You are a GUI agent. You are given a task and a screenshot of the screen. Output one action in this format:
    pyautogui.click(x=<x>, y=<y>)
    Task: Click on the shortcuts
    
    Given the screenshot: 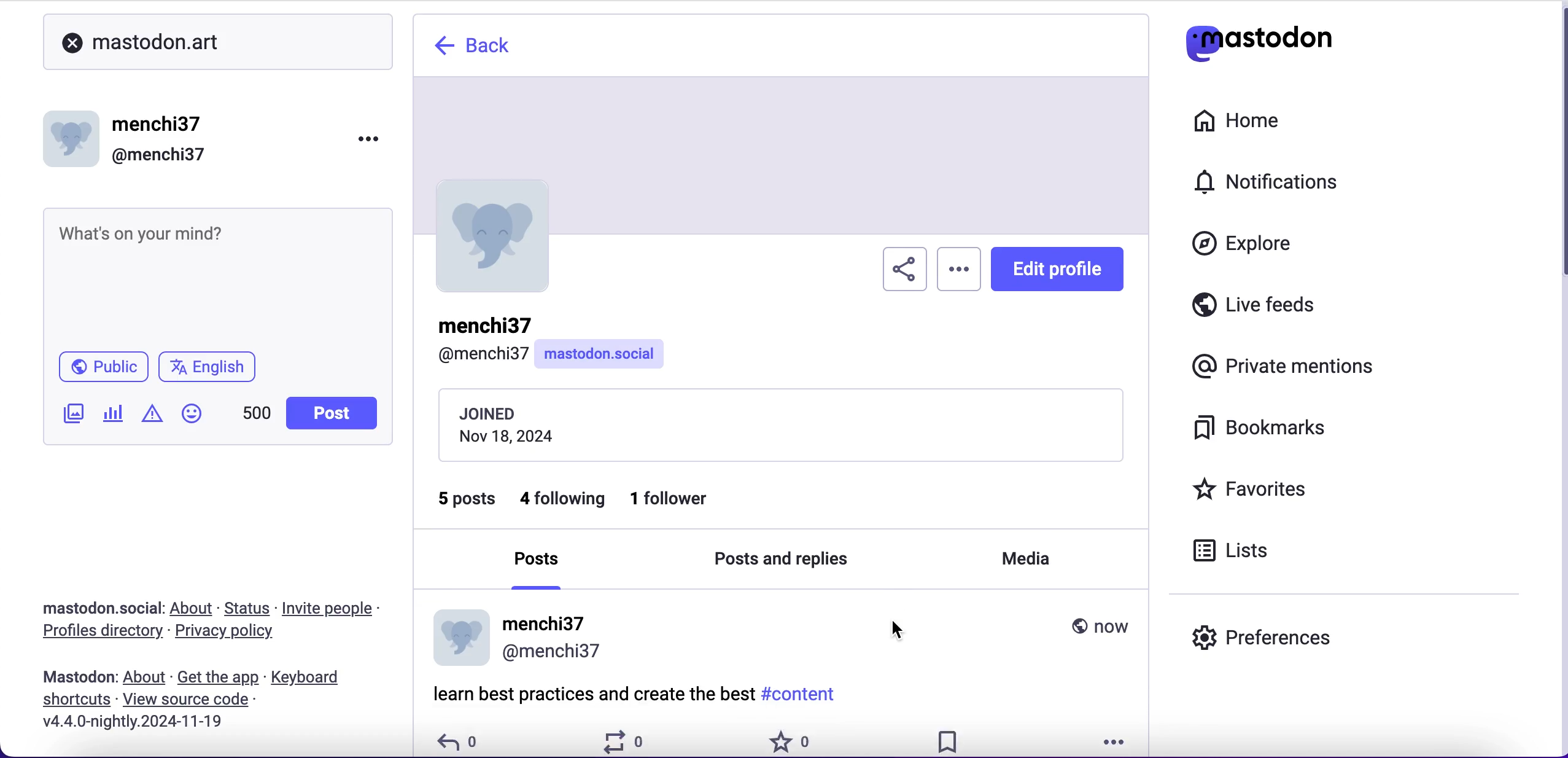 What is the action you would take?
    pyautogui.click(x=74, y=698)
    